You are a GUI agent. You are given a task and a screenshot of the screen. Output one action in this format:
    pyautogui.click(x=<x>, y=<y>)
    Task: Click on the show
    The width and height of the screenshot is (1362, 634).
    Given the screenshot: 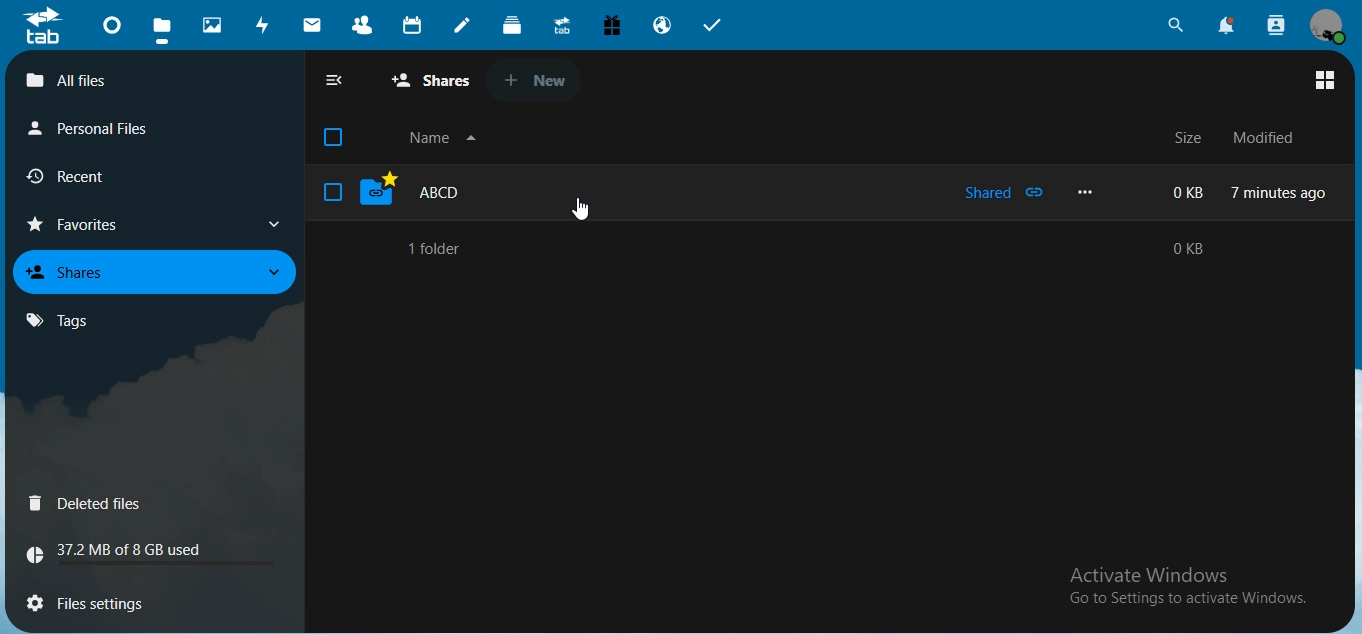 What is the action you would take?
    pyautogui.click(x=274, y=225)
    